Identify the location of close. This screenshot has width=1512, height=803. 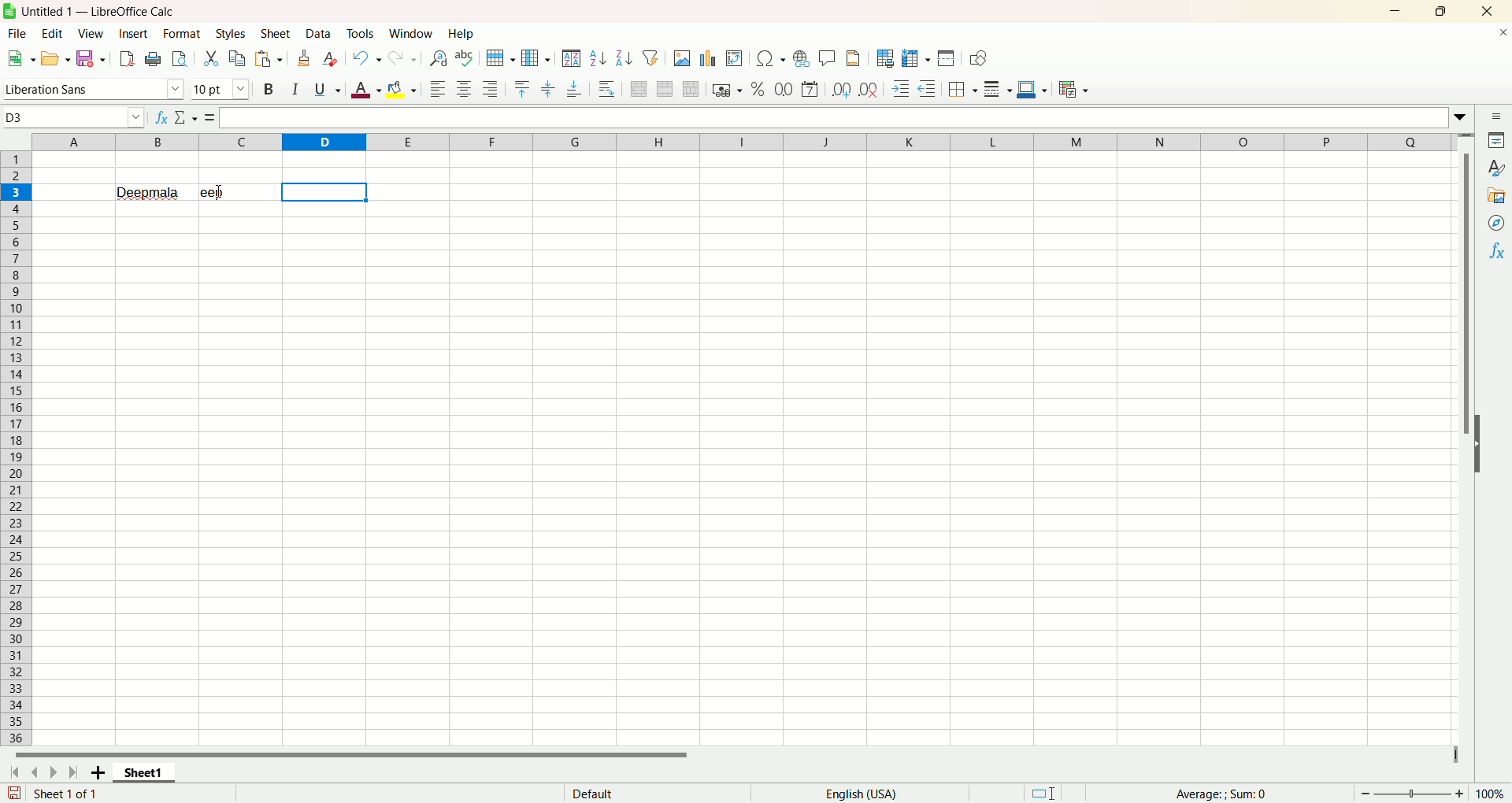
(1485, 11).